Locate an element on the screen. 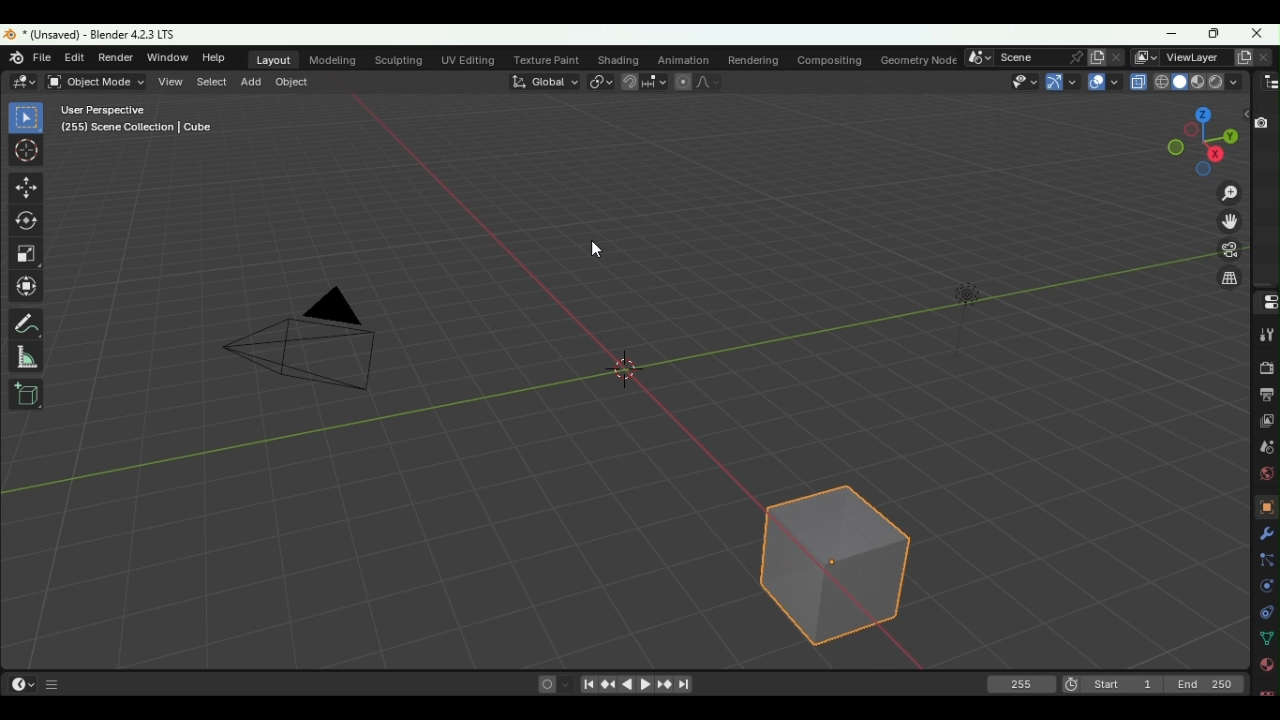 This screenshot has height=720, width=1280. Browse scene to be linked is located at coordinates (977, 57).